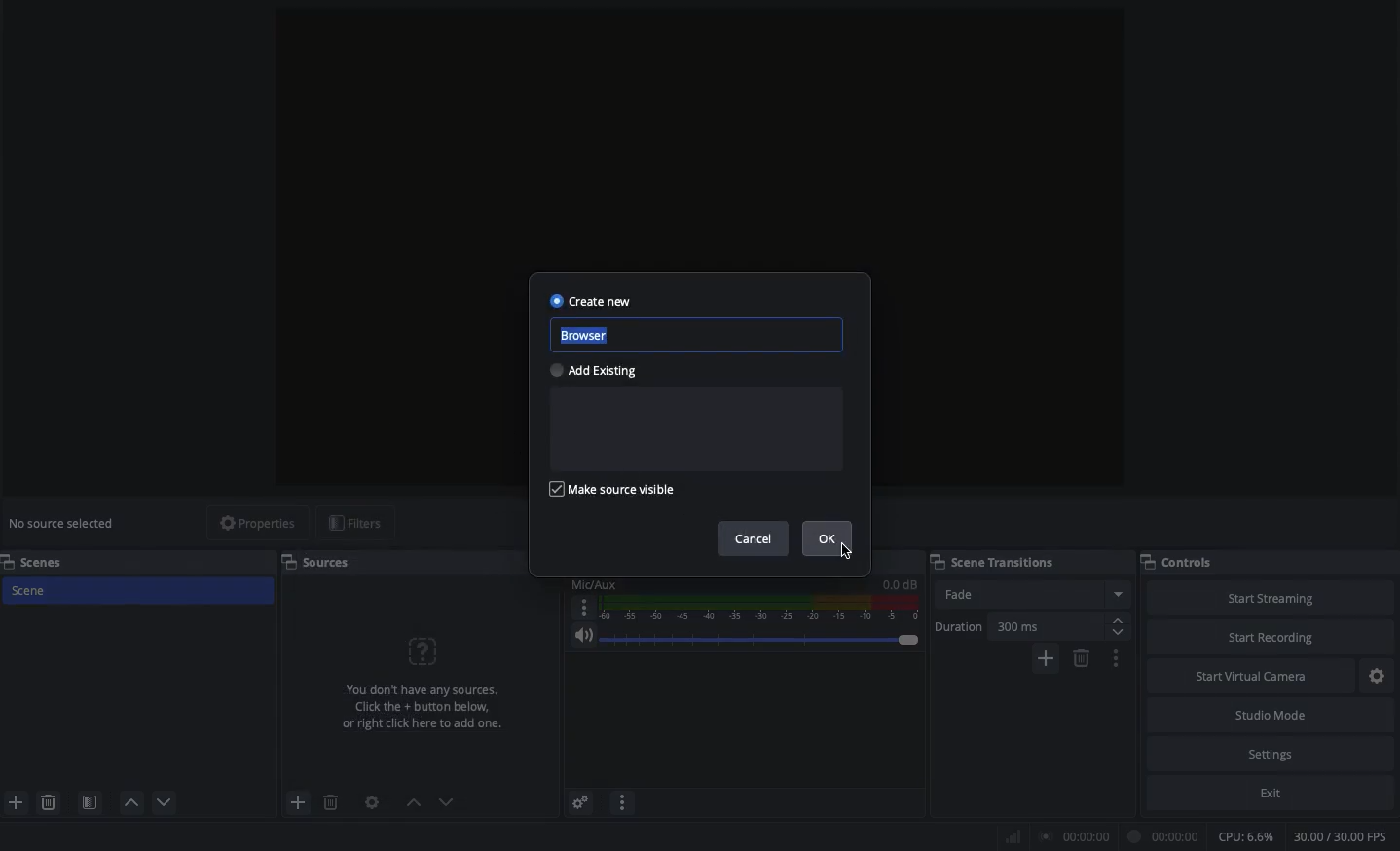 The height and width of the screenshot is (851, 1400). I want to click on Recording, so click(1161, 836).